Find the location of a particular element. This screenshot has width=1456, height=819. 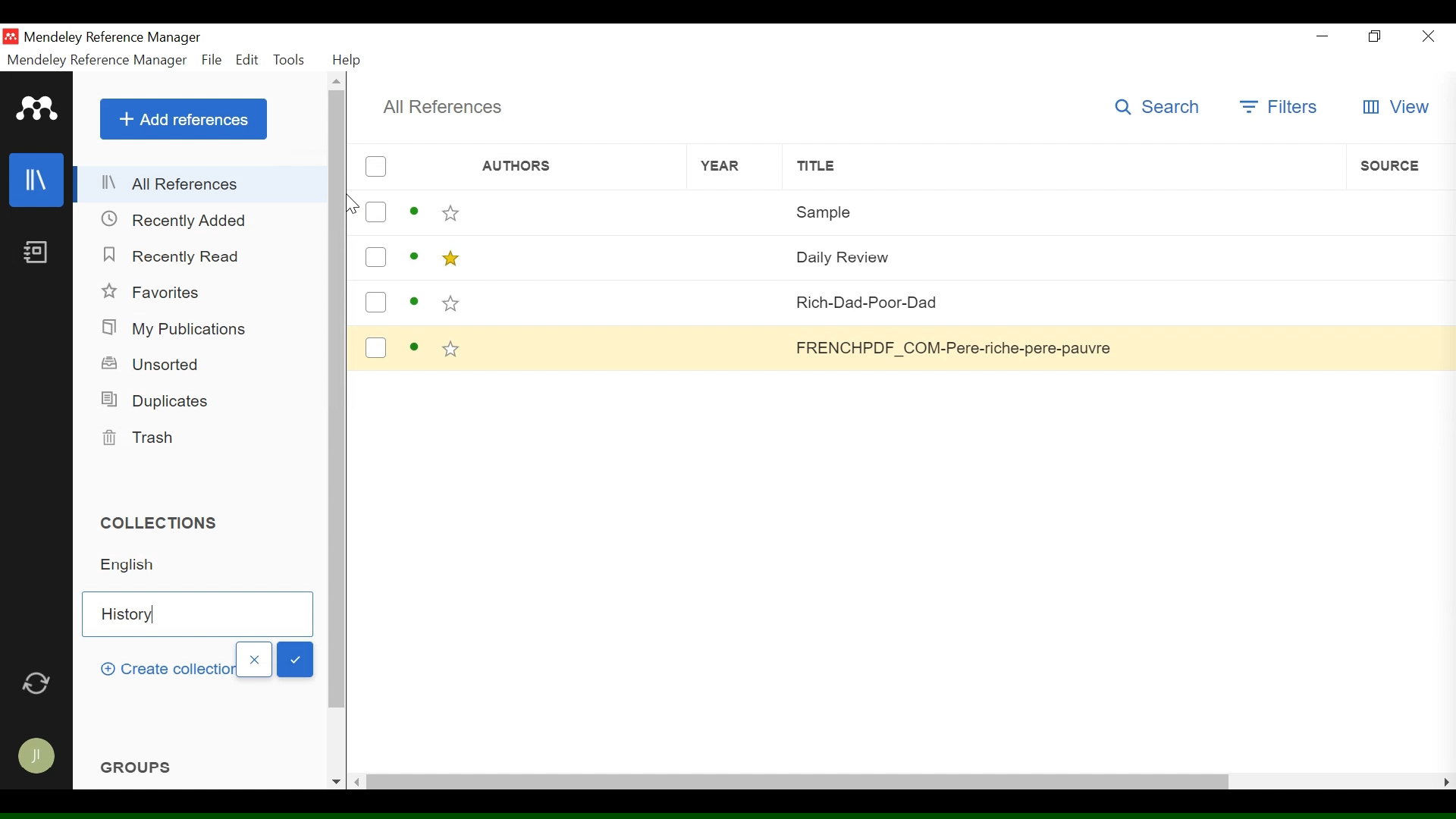

Authors is located at coordinates (554, 169).